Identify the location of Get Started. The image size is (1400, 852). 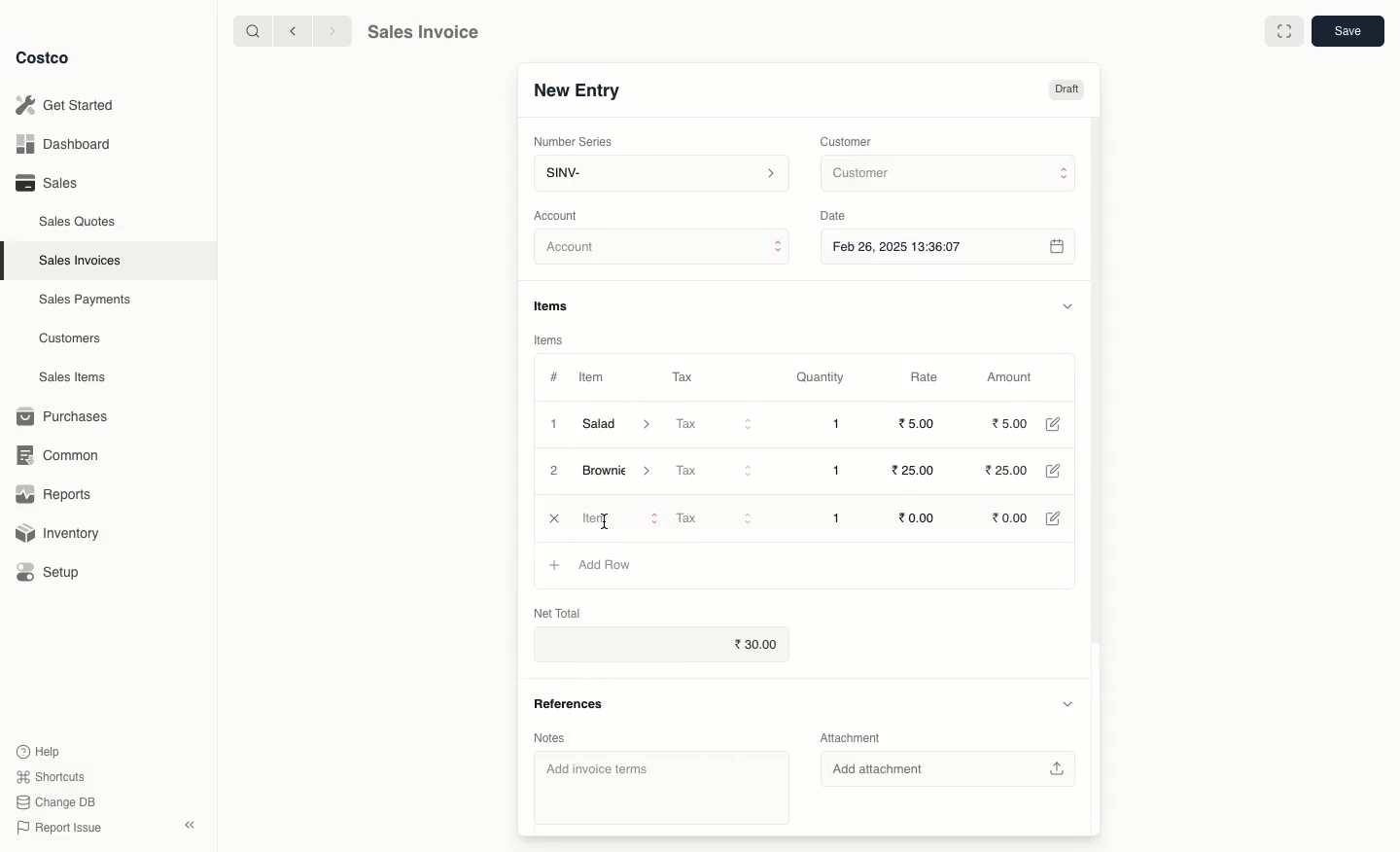
(64, 104).